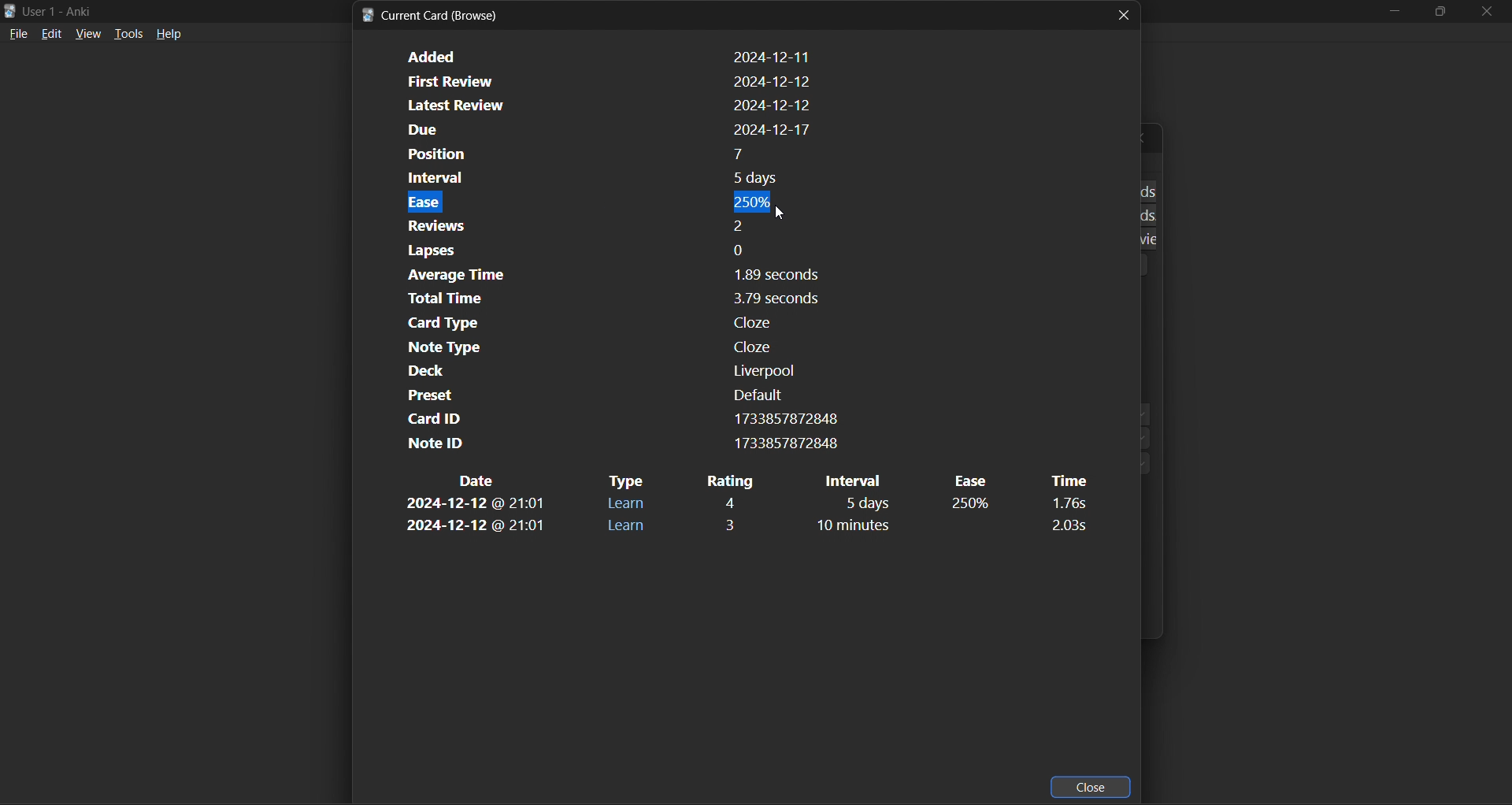  What do you see at coordinates (605, 131) in the screenshot?
I see `card due date` at bounding box center [605, 131].